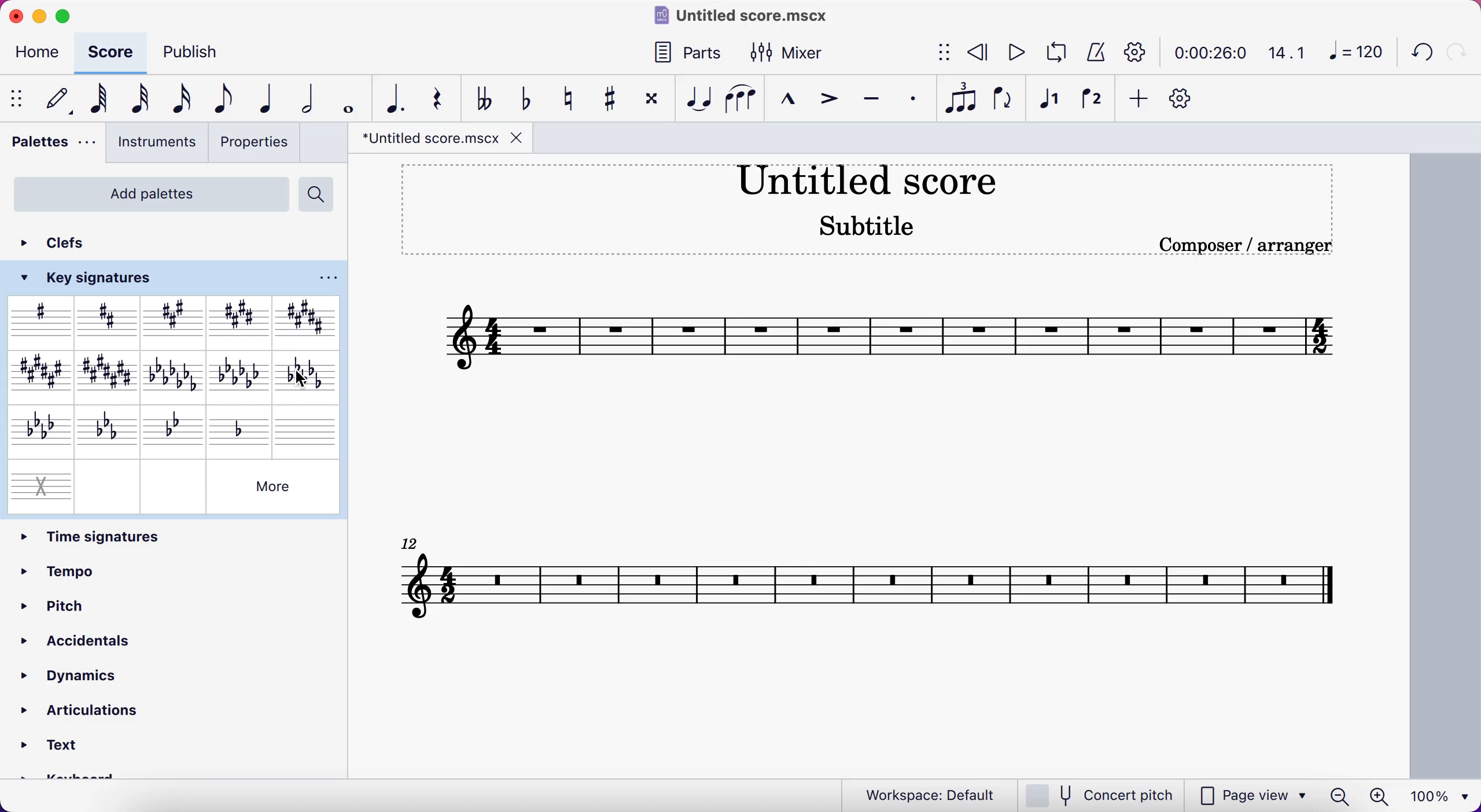 This screenshot has height=812, width=1481. Describe the element at coordinates (691, 54) in the screenshot. I see `parts` at that location.